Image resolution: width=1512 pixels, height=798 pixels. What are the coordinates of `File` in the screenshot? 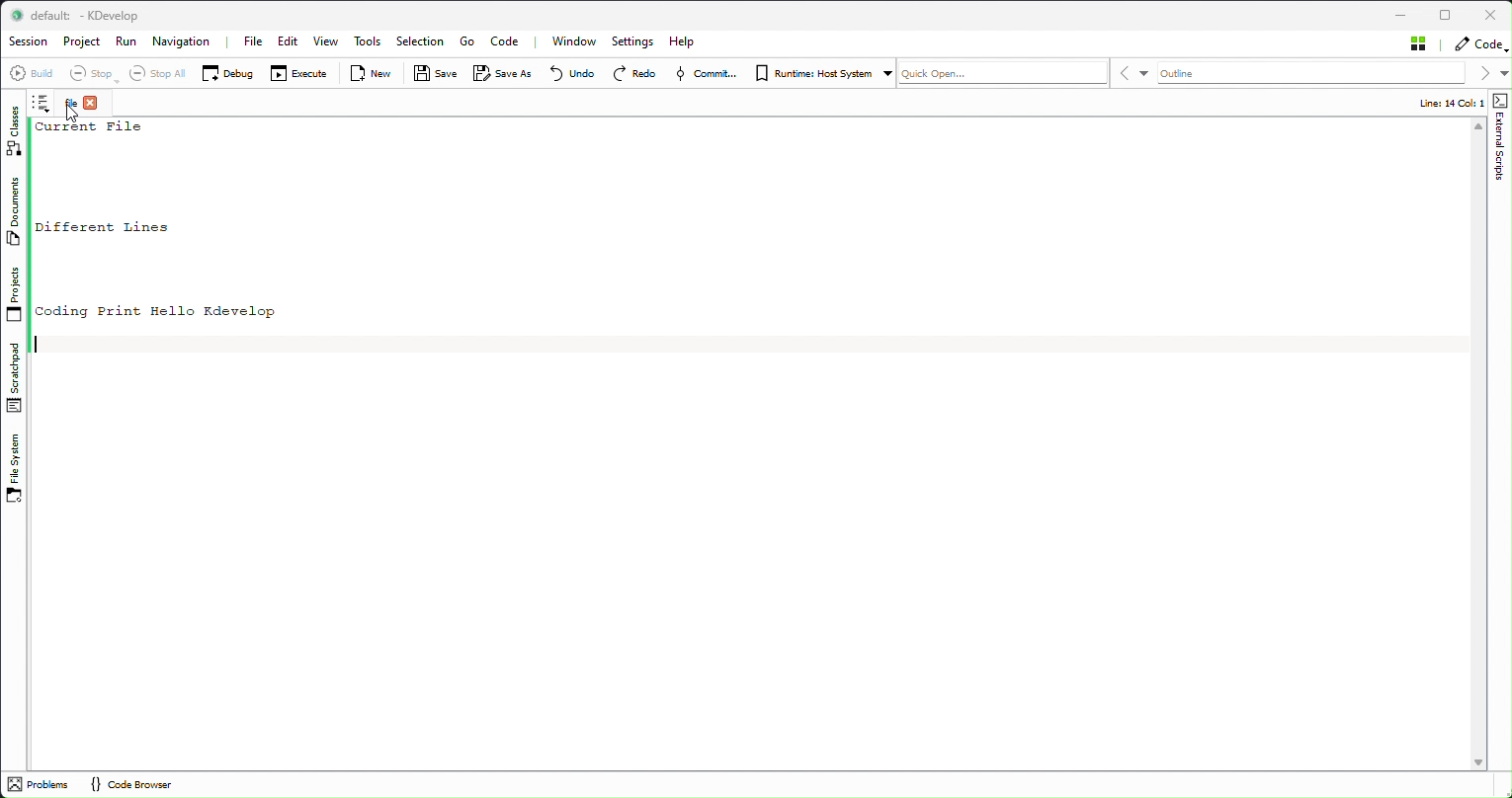 It's located at (255, 42).